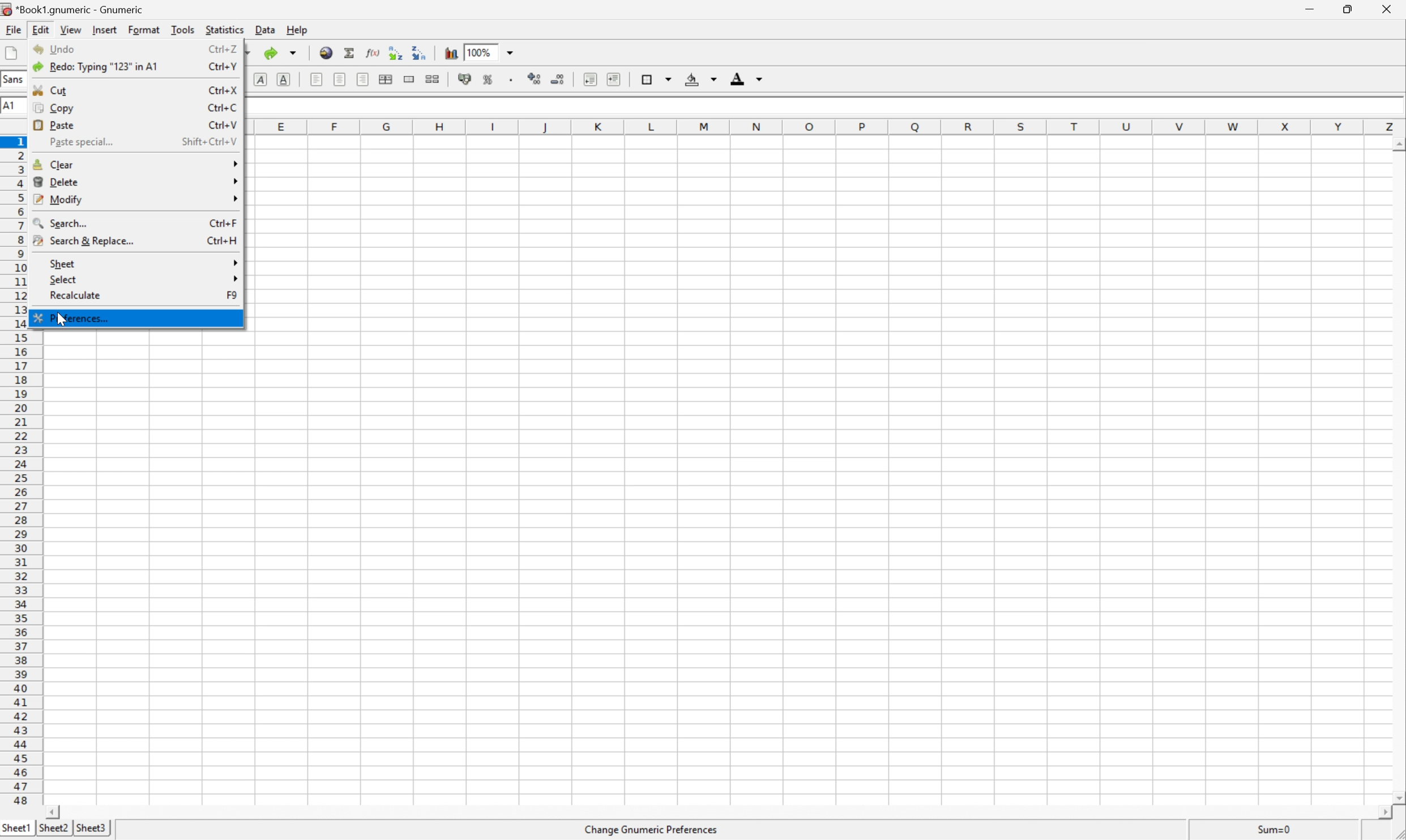  I want to click on Formula bar, so click(820, 111).